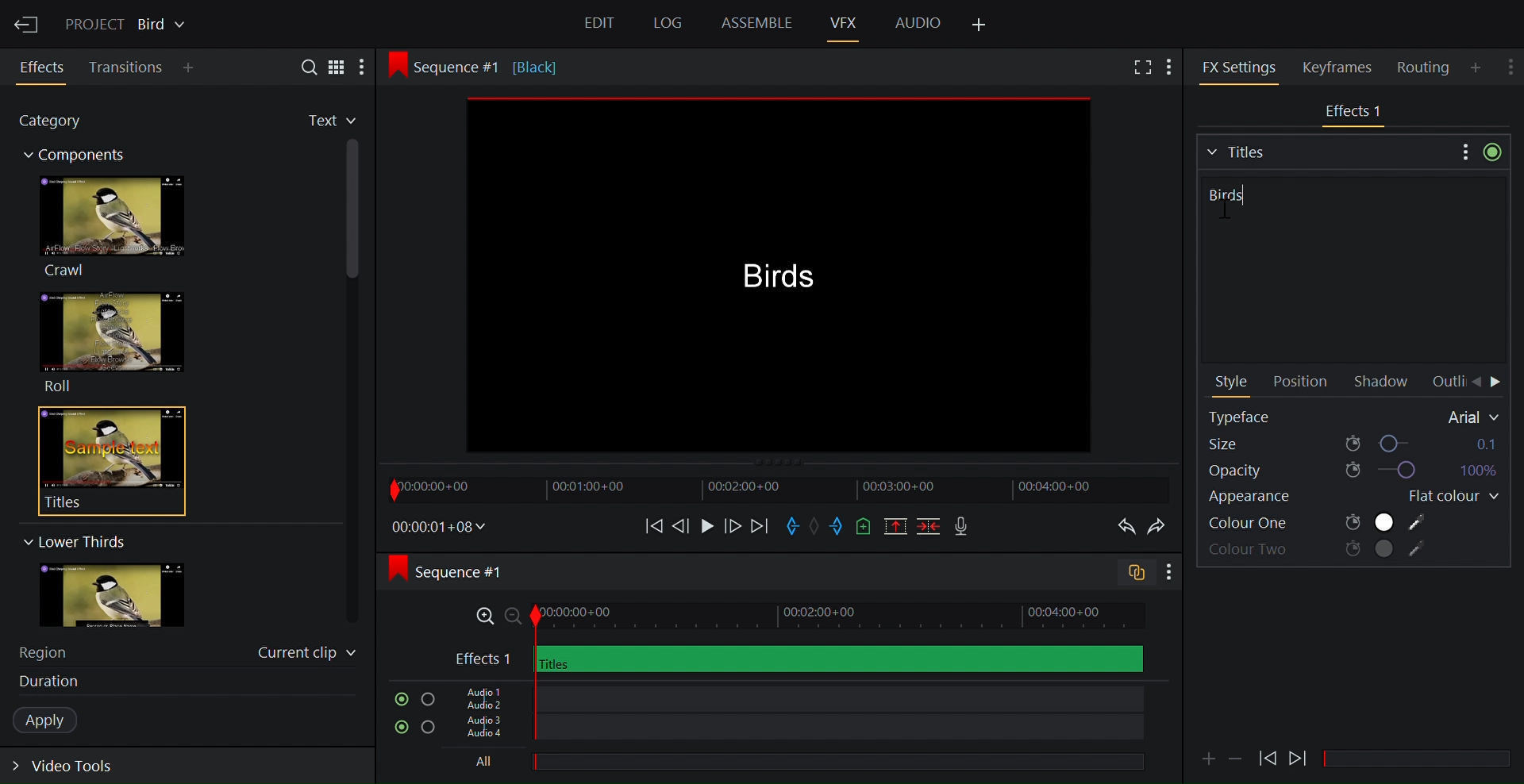 Image resolution: width=1524 pixels, height=784 pixels. I want to click on Outline, so click(1446, 382).